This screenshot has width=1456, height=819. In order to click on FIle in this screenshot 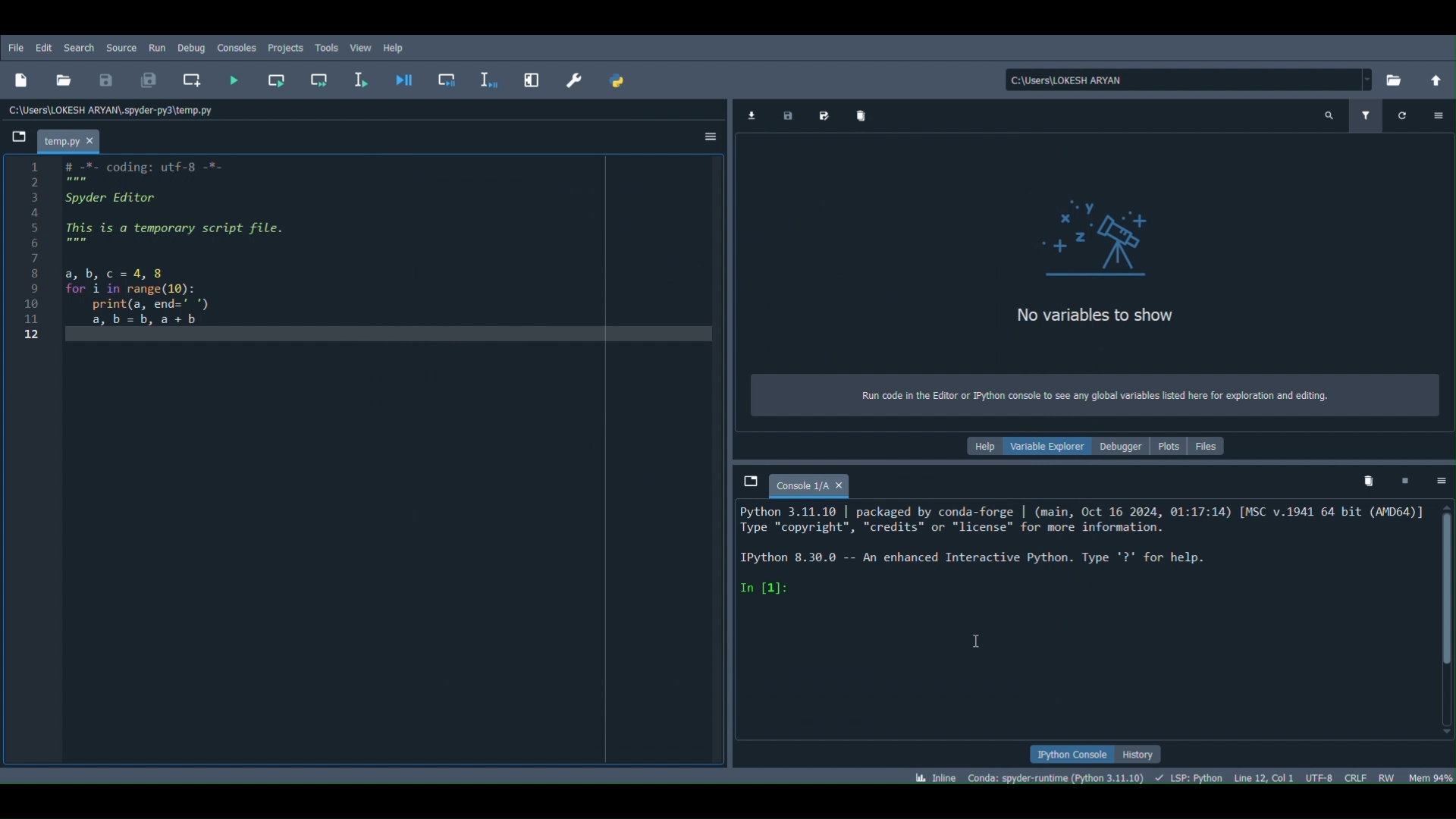, I will do `click(14, 43)`.